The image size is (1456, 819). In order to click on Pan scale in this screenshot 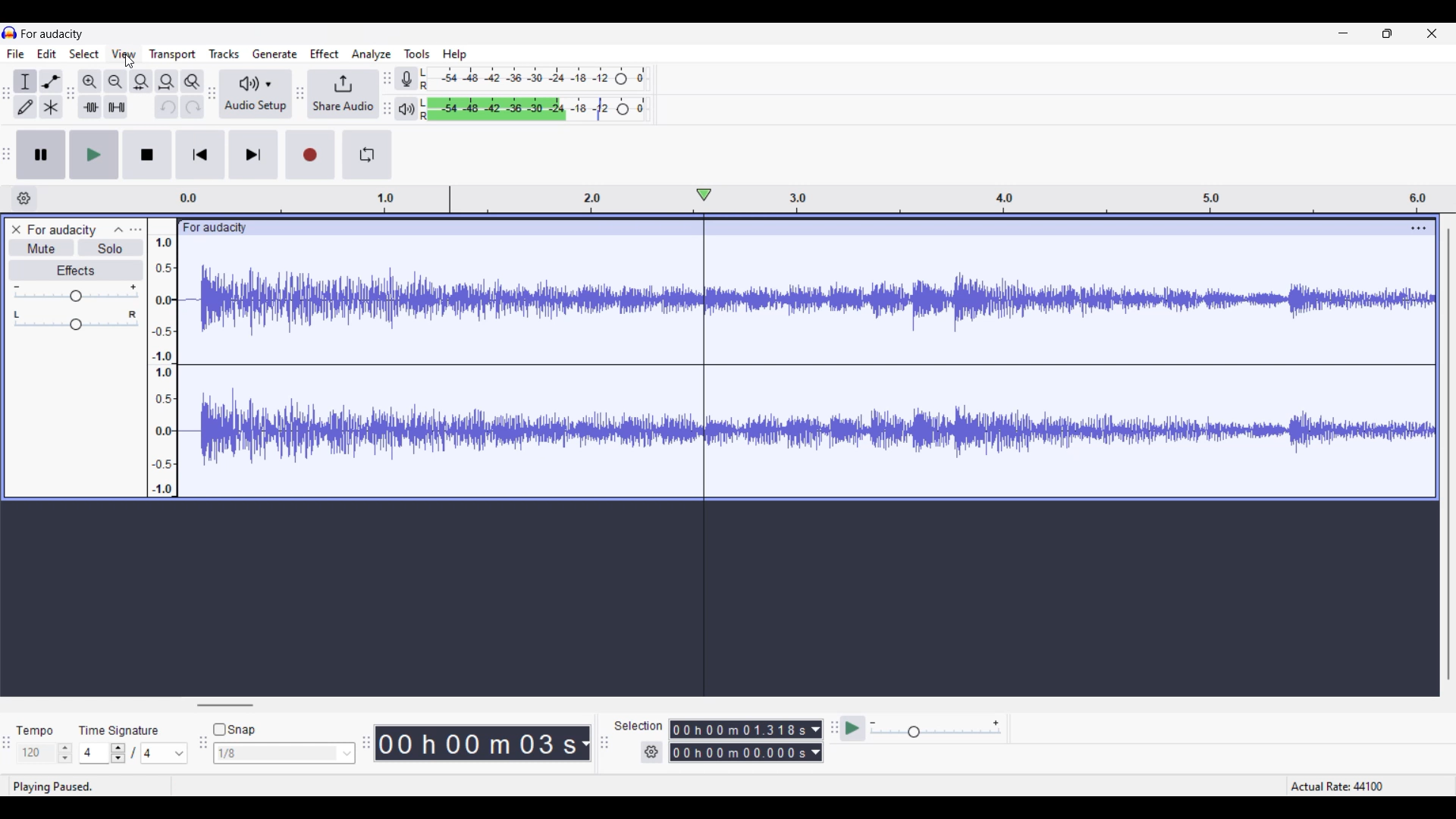, I will do `click(76, 320)`.